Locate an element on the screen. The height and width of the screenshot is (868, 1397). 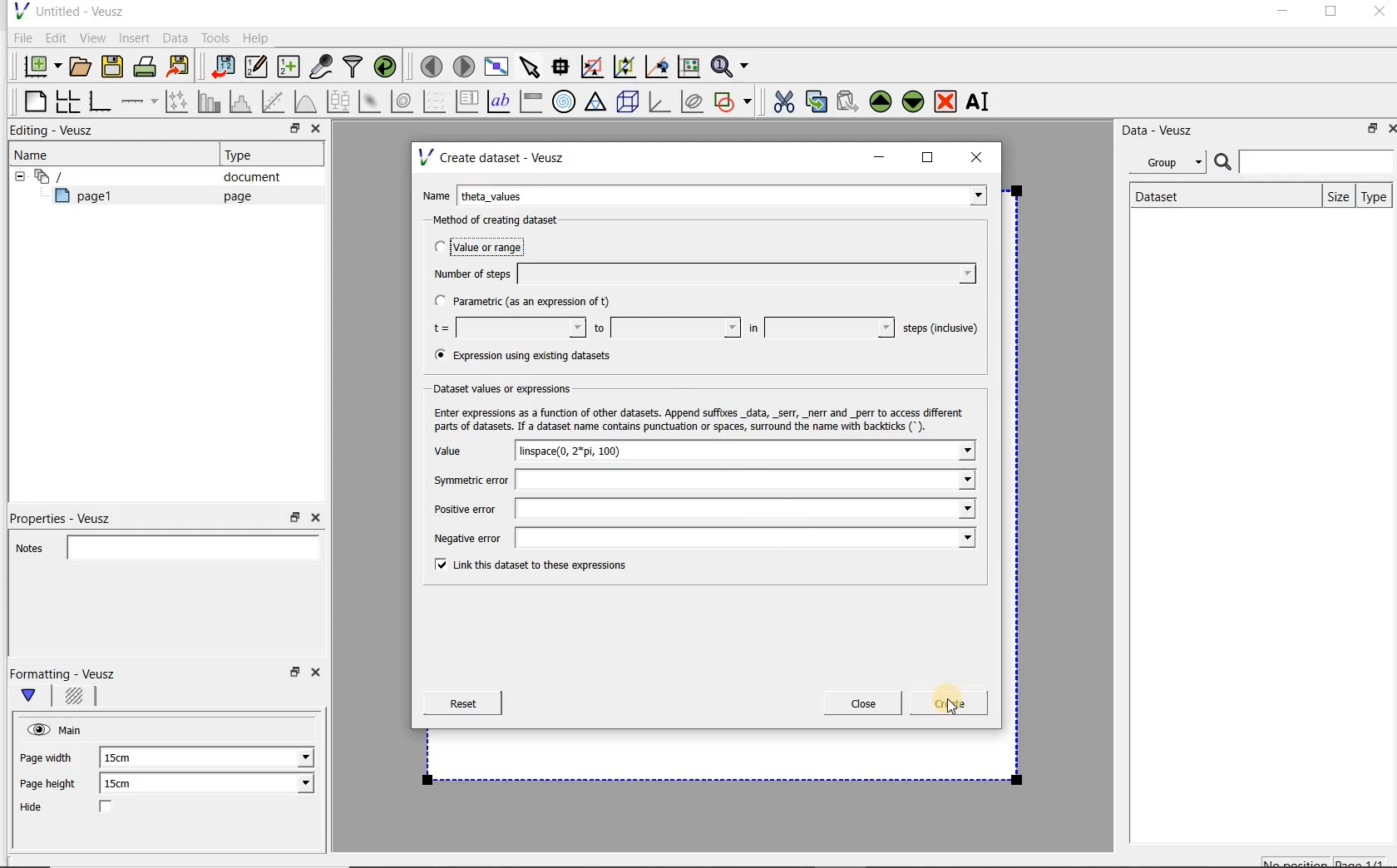
Name is located at coordinates (437, 194).